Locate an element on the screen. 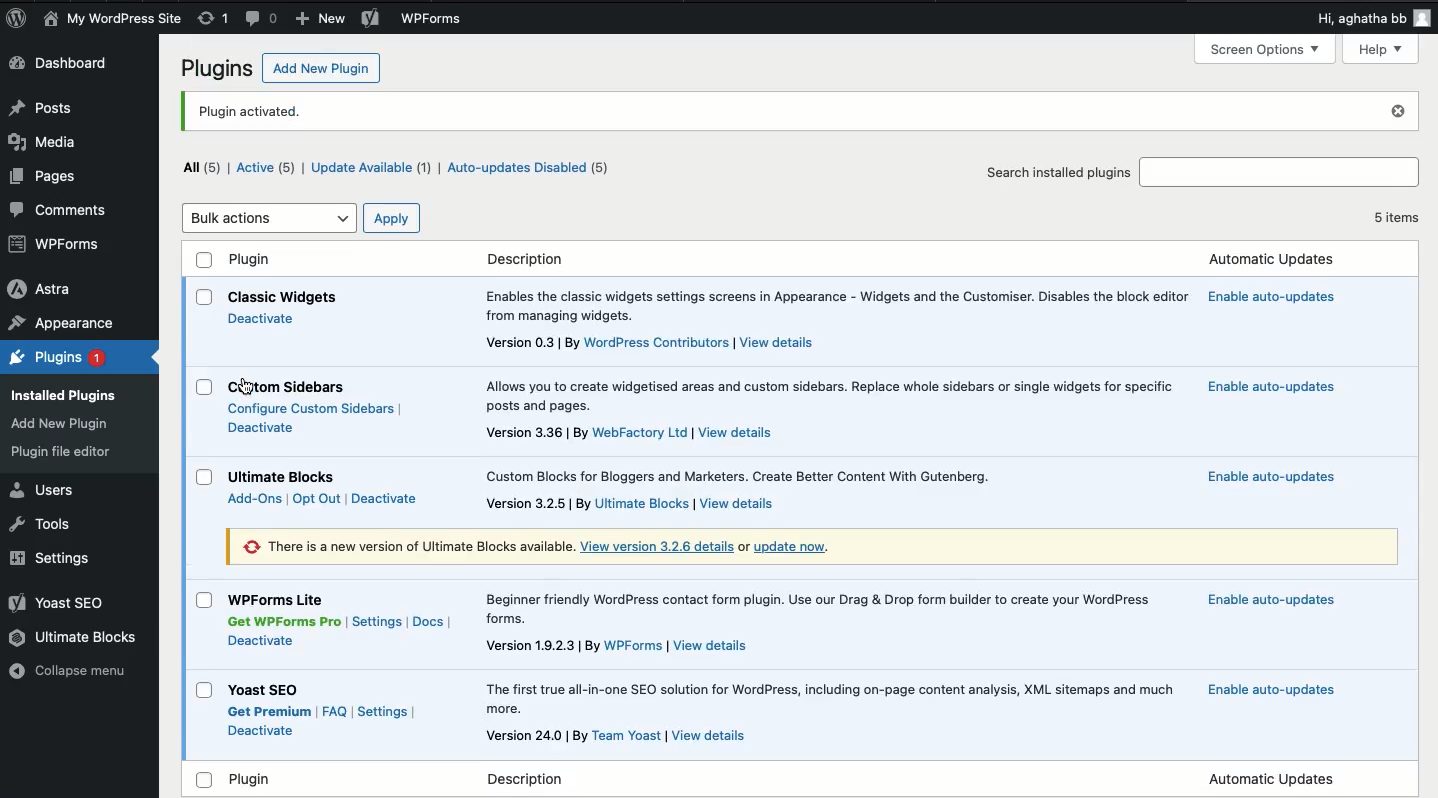 Image resolution: width=1438 pixels, height=798 pixels. team yoast is located at coordinates (630, 737).